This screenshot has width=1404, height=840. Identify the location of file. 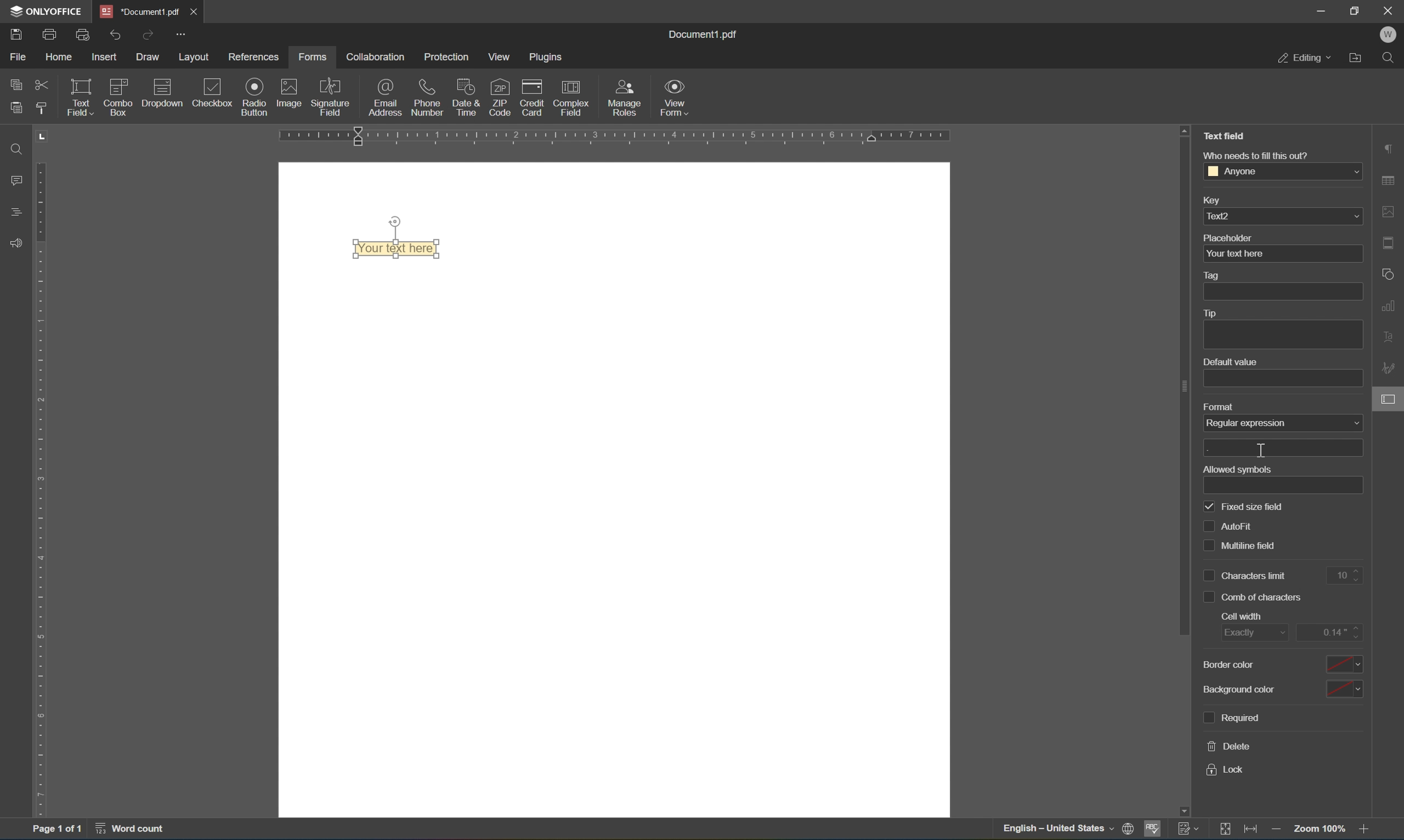
(15, 56).